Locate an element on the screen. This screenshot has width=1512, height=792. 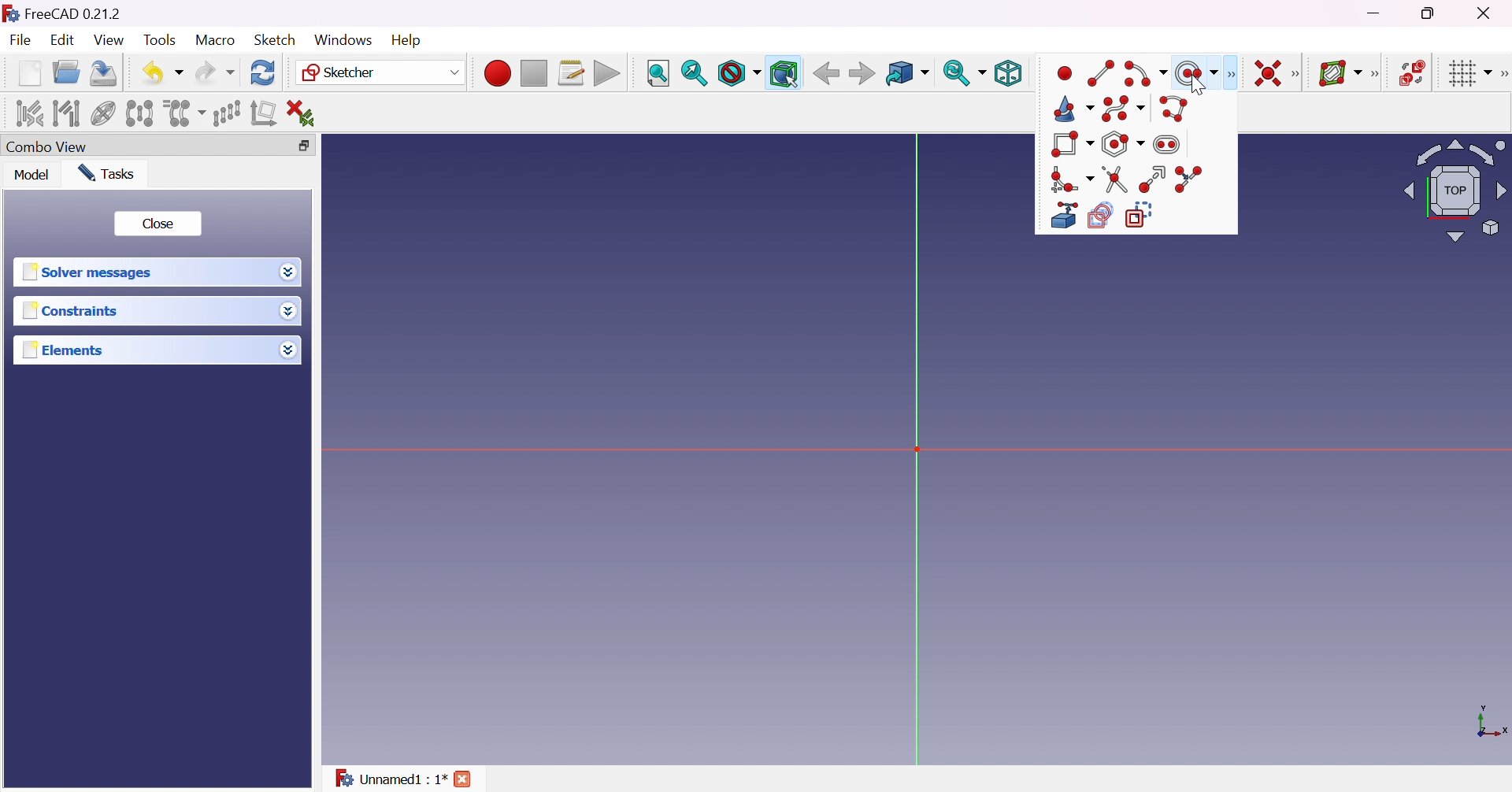
Draw style is located at coordinates (739, 74).